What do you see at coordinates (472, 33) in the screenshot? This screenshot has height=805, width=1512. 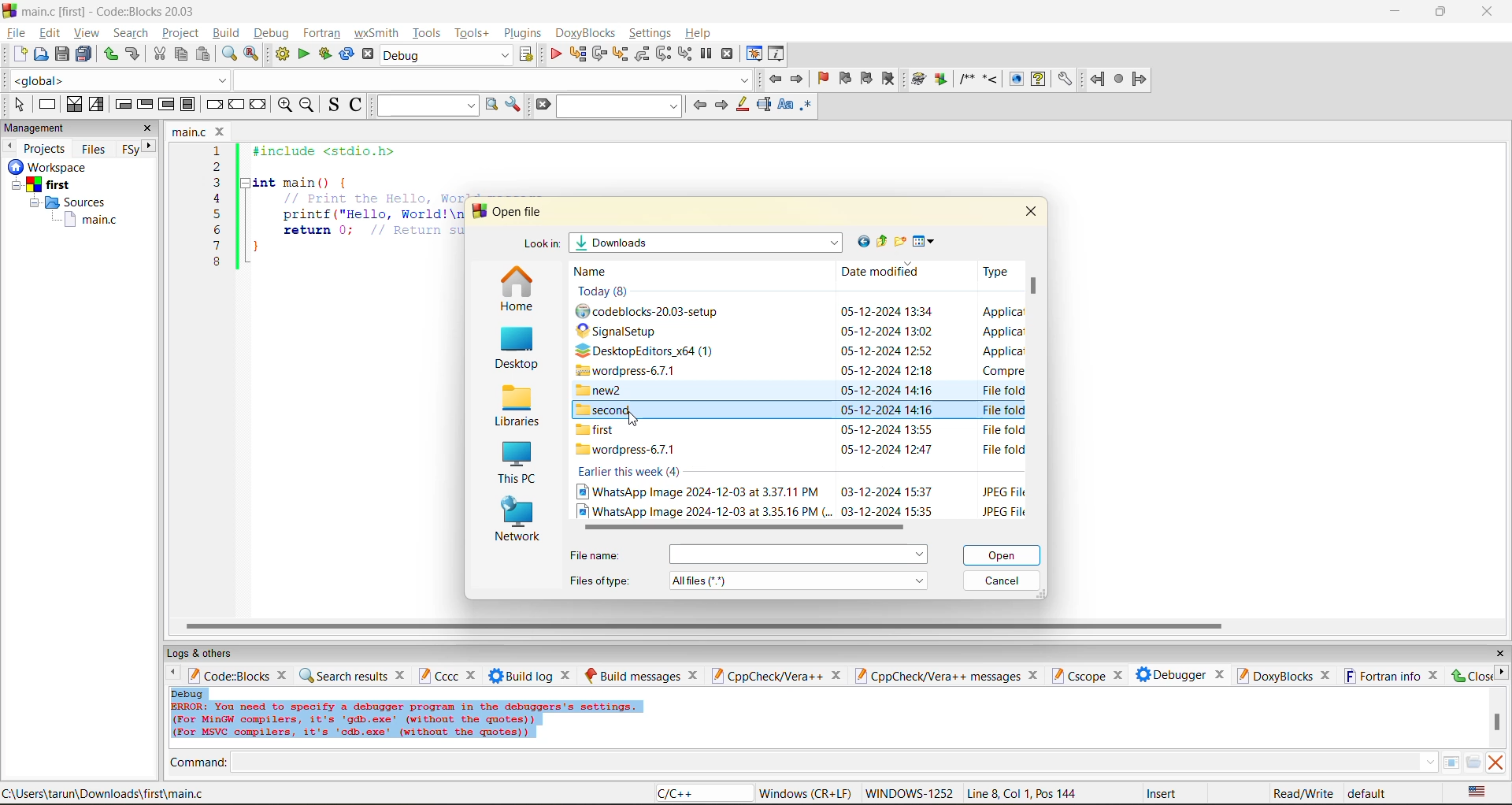 I see `tools+` at bounding box center [472, 33].